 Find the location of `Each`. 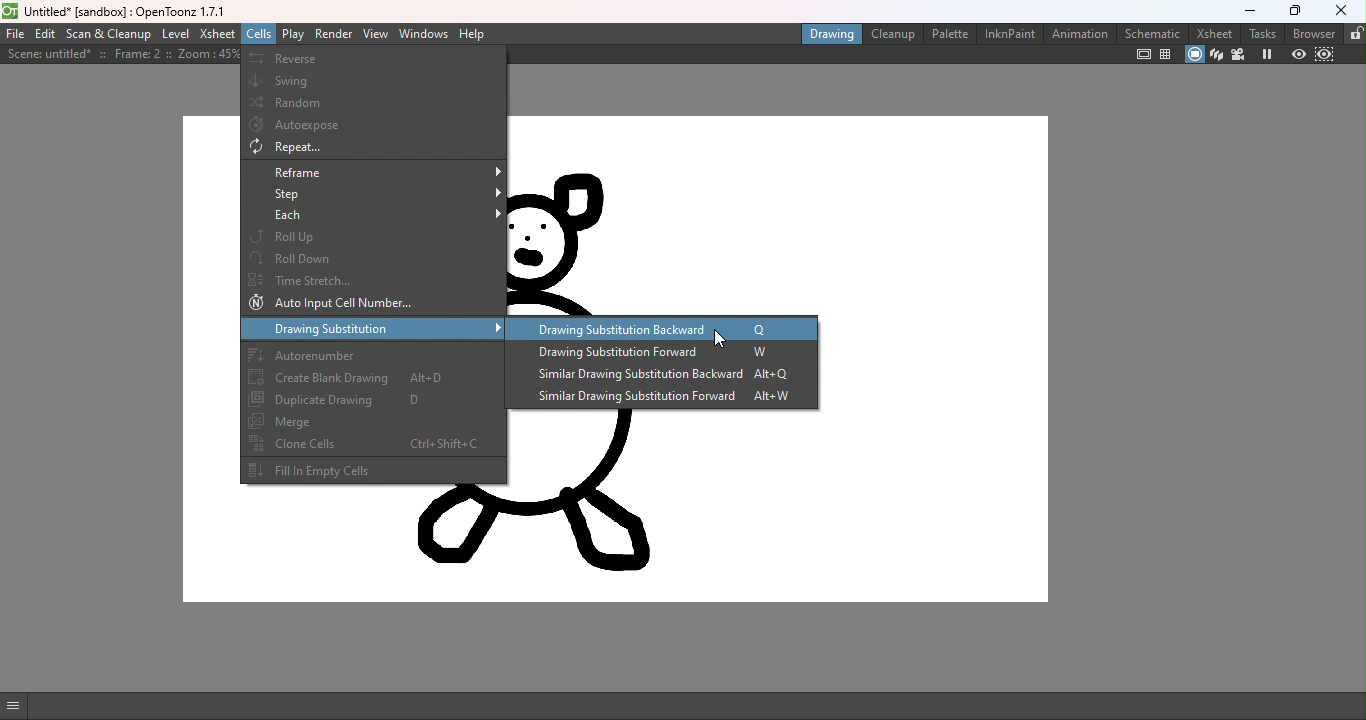

Each is located at coordinates (375, 217).